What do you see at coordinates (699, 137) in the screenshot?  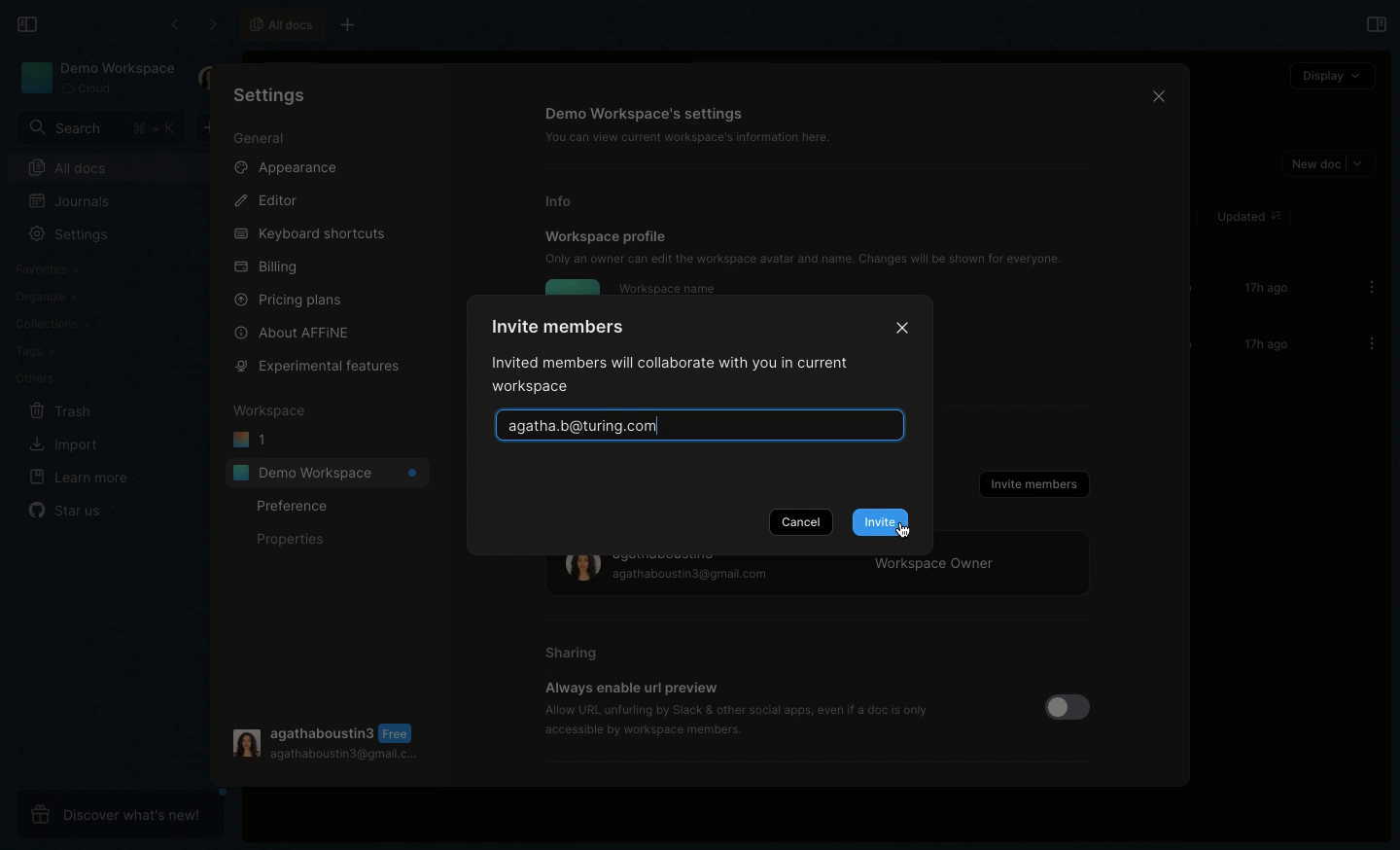 I see `‘You can view current workspace's information here.` at bounding box center [699, 137].